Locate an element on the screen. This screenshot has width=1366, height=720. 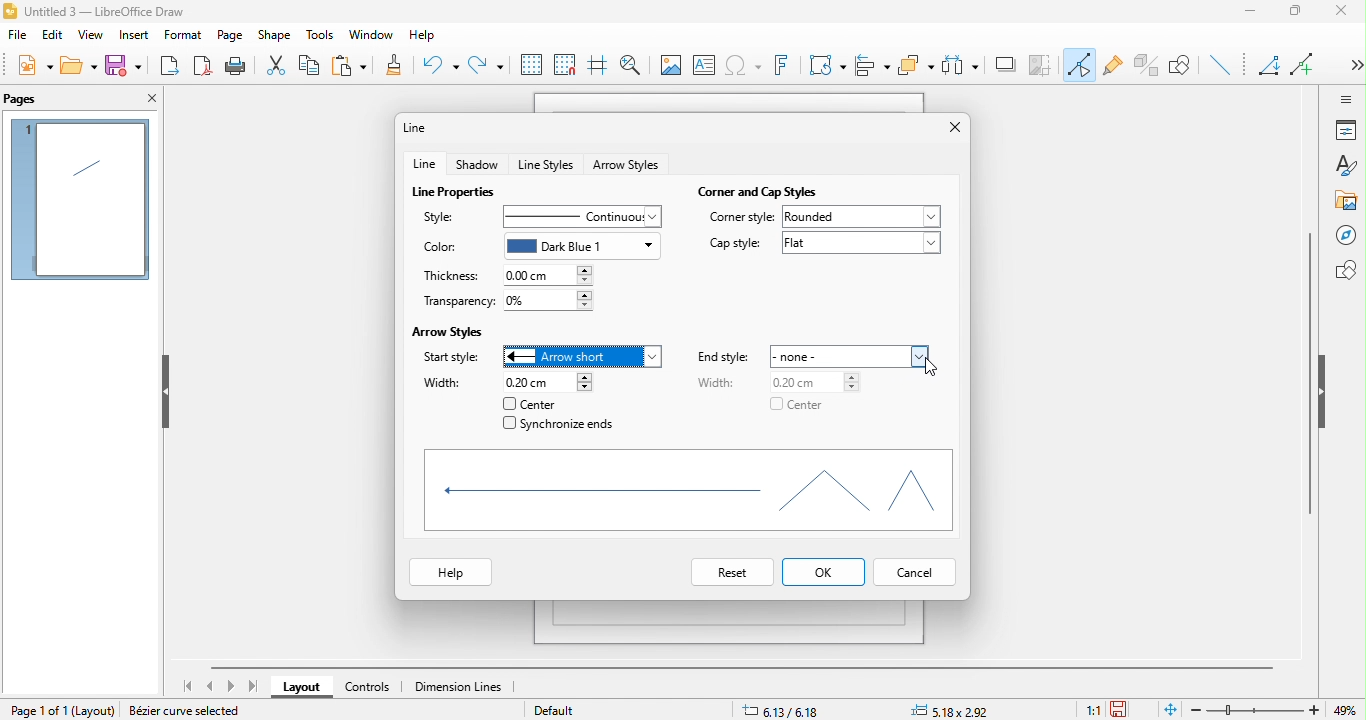
1:1 is located at coordinates (1092, 710).